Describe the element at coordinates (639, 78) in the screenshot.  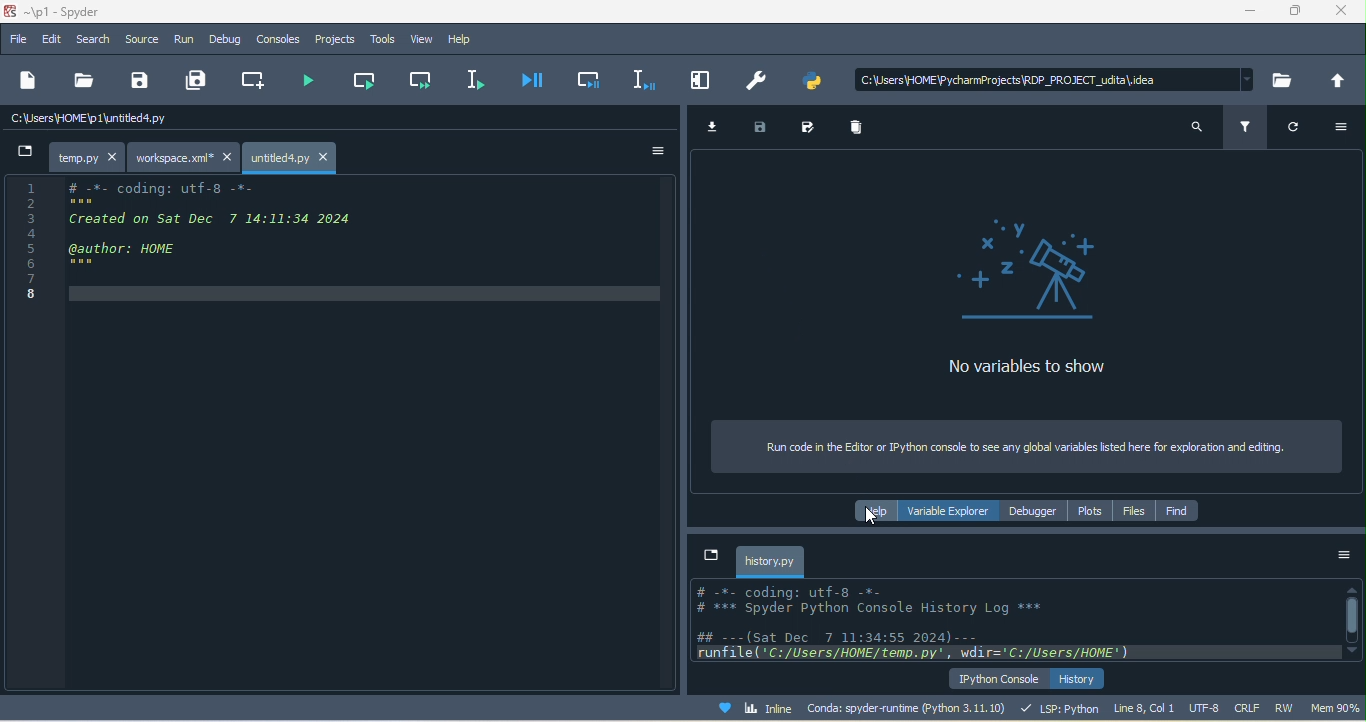
I see `debug selection` at that location.